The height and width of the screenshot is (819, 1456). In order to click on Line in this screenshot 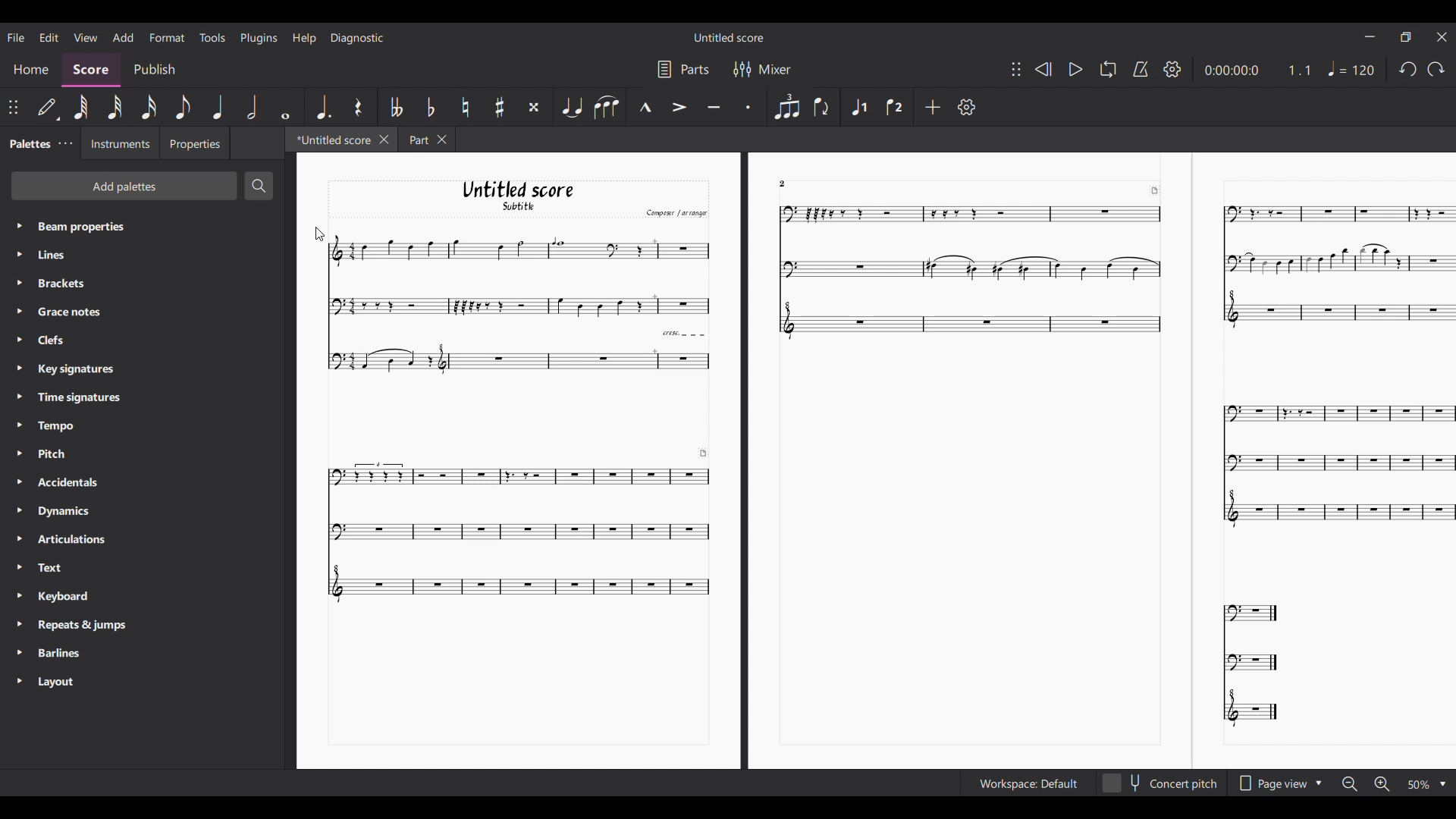, I will do `click(65, 255)`.